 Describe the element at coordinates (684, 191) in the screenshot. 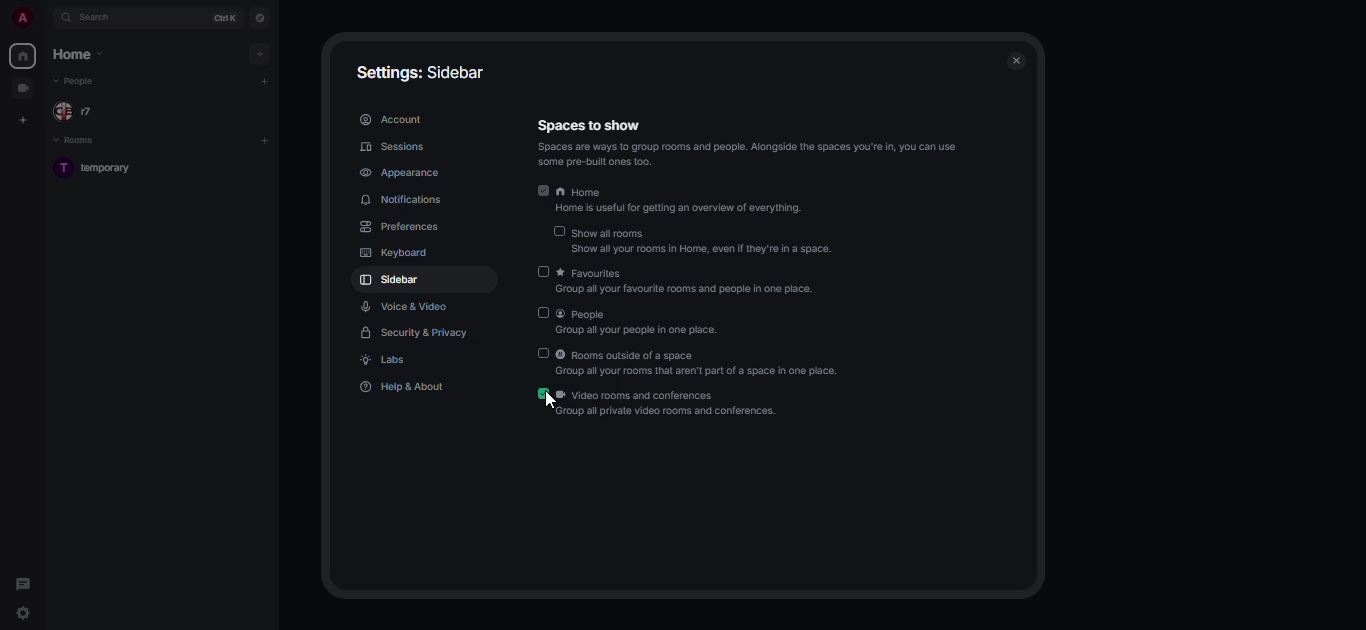

I see `home` at that location.